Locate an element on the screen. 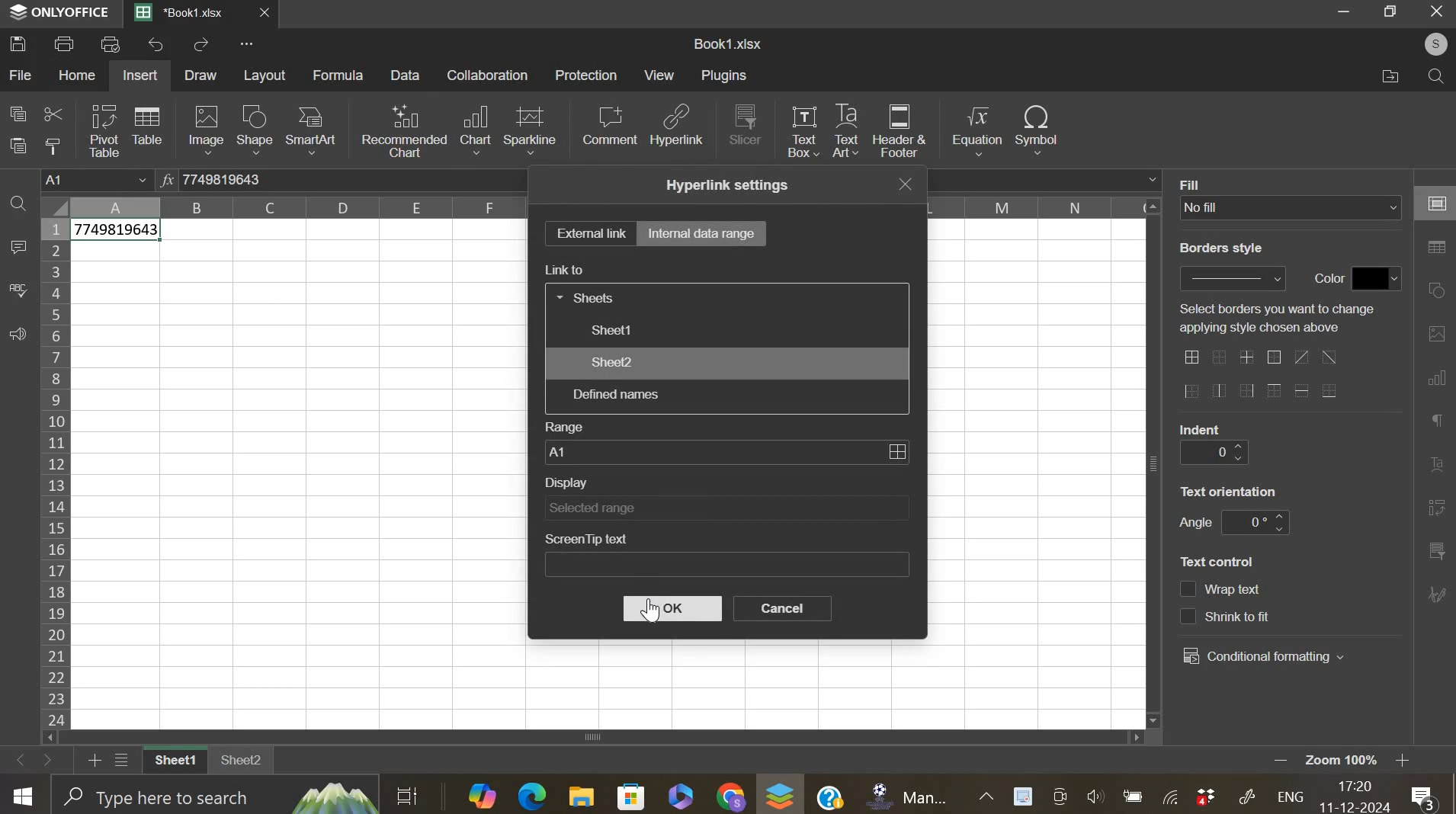 The width and height of the screenshot is (1456, 814). spreadsheet name is located at coordinates (727, 43).